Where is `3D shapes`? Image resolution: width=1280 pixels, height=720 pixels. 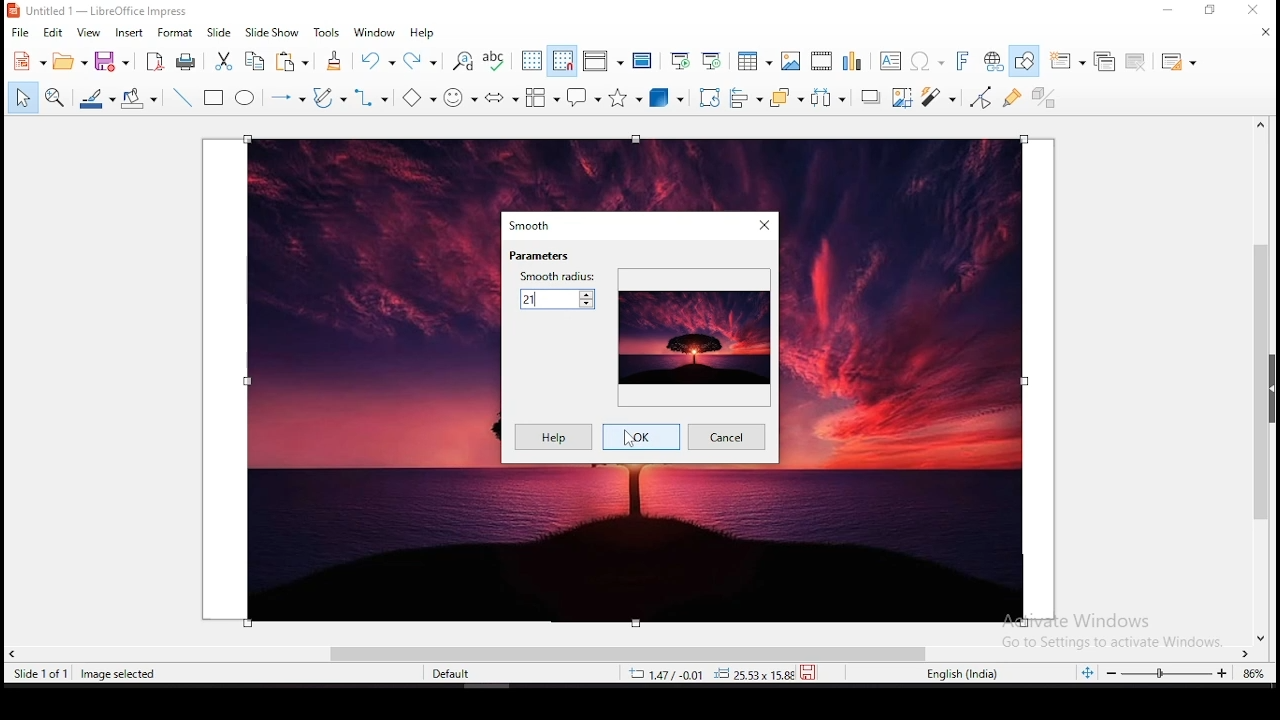 3D shapes is located at coordinates (667, 100).